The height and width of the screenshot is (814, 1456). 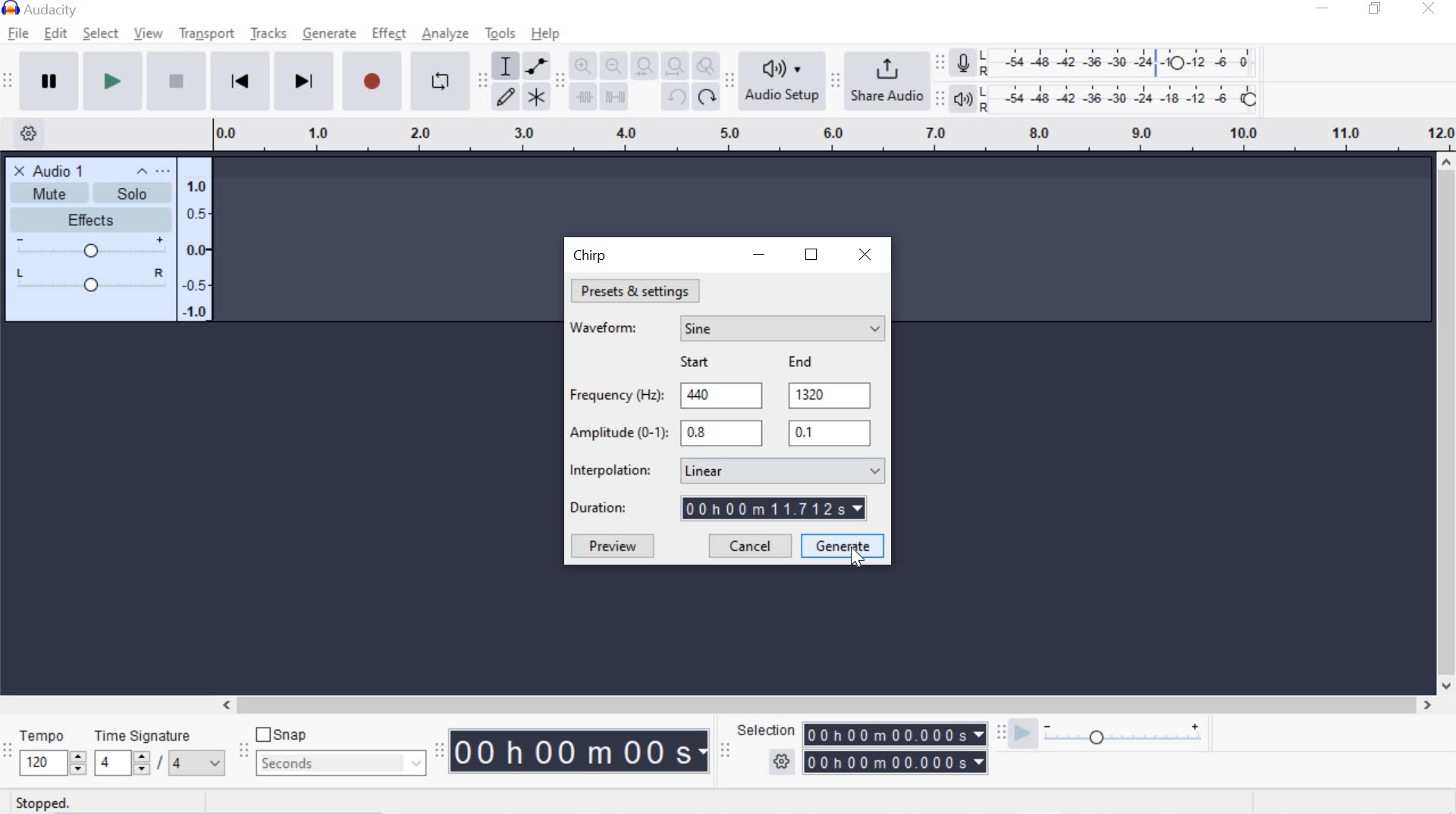 I want to click on preview, so click(x=613, y=547).